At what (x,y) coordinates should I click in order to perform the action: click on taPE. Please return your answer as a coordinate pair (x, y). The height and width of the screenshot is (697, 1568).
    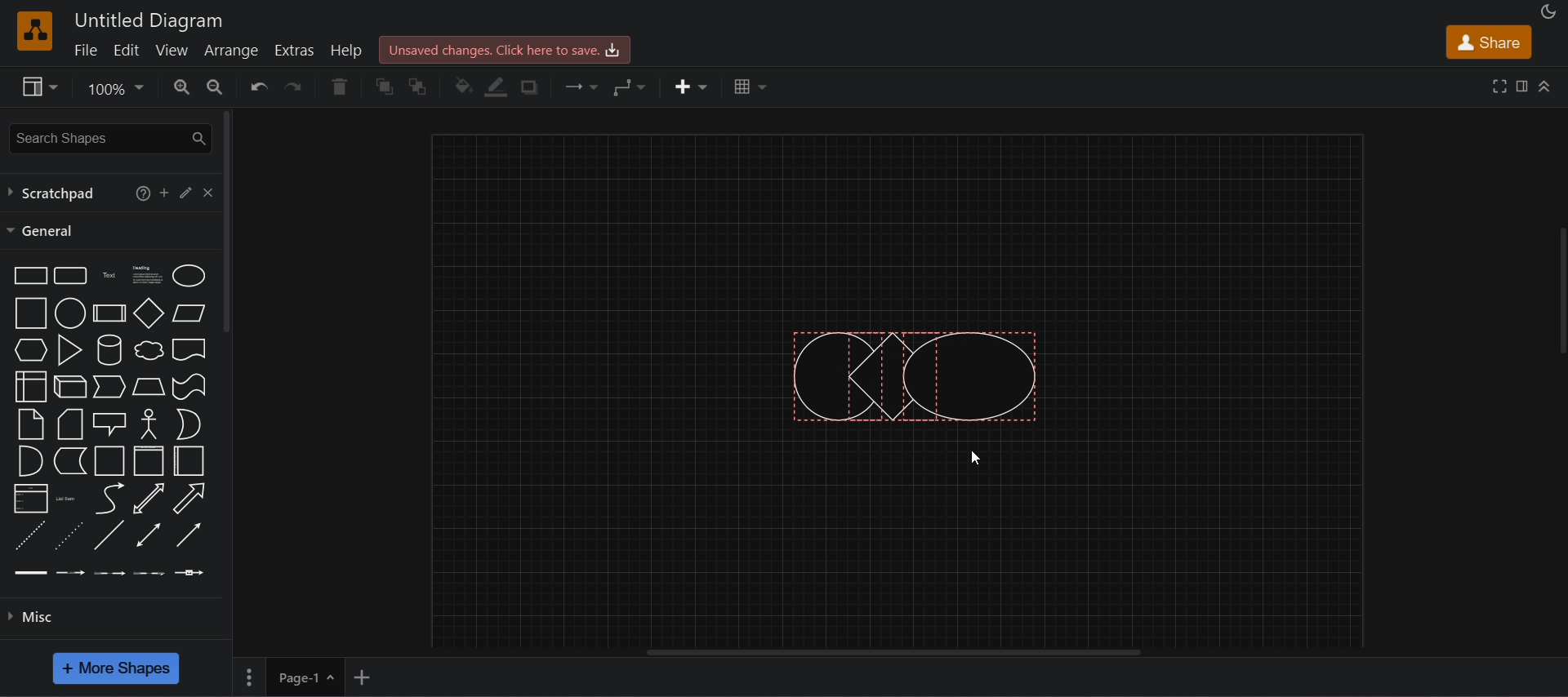
    Looking at the image, I should click on (189, 386).